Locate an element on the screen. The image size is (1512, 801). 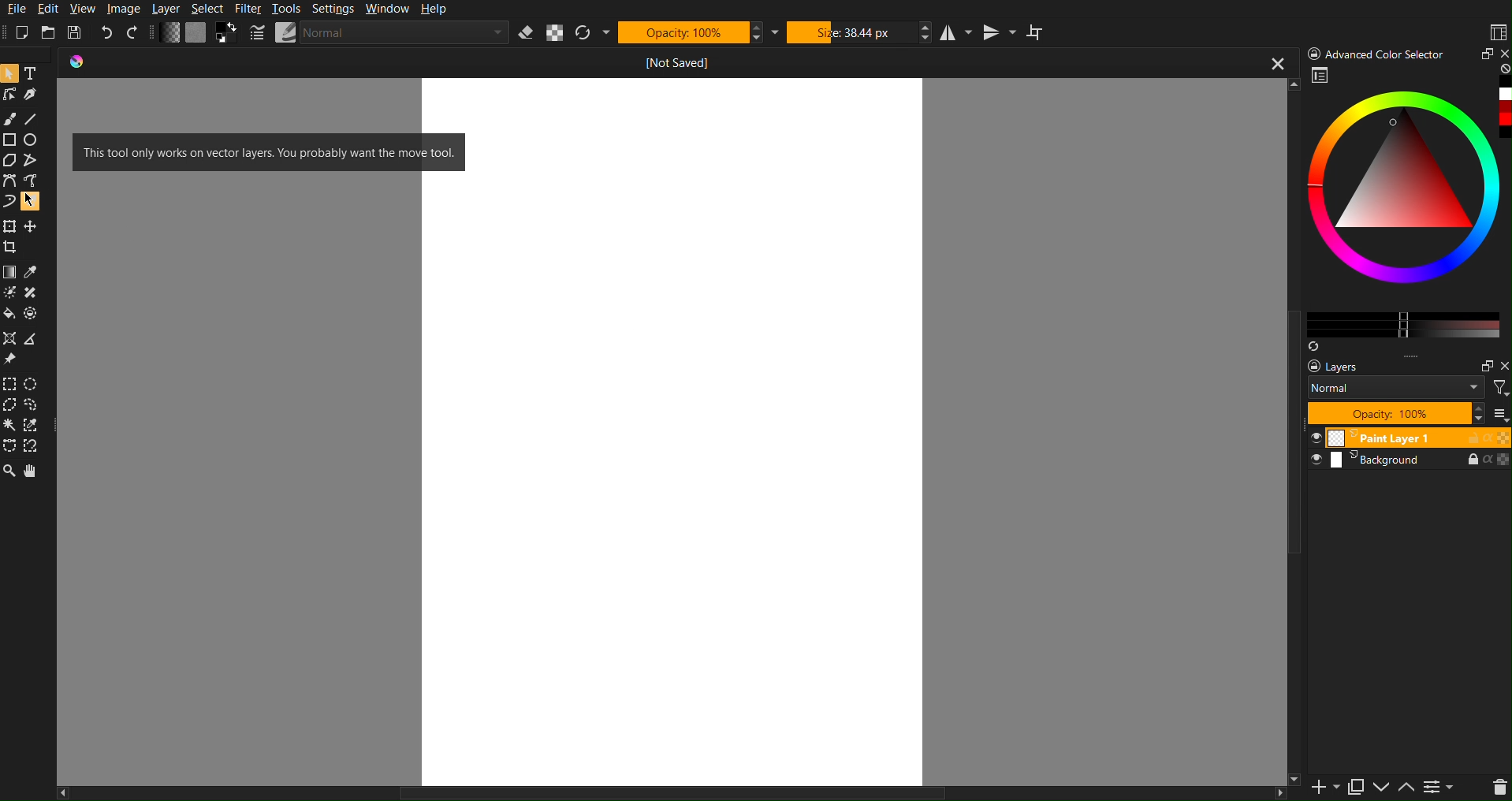
Path Selection Tool is located at coordinates (10, 446).